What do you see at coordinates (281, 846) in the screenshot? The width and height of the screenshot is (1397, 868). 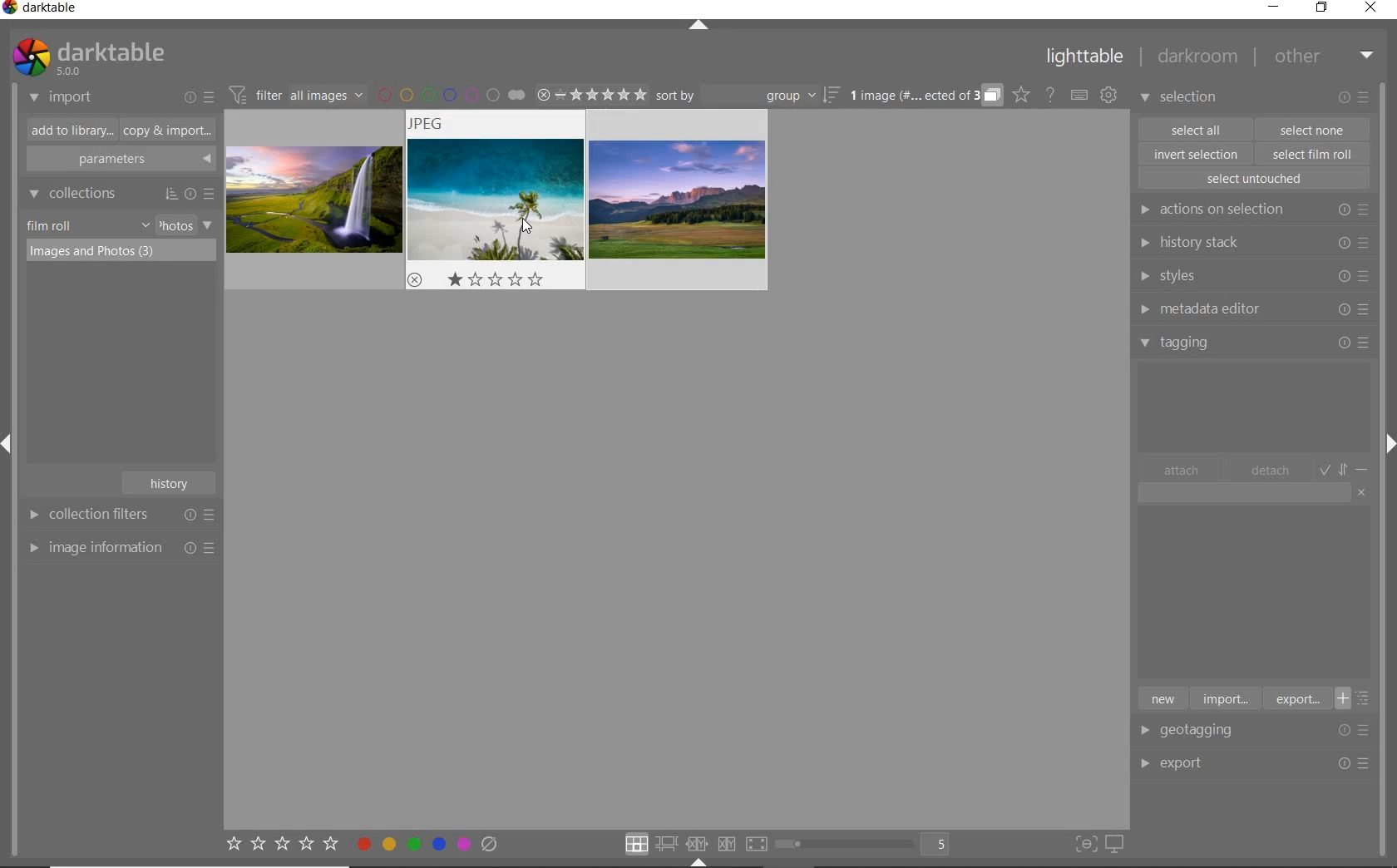 I see `set star rating for selected images` at bounding box center [281, 846].